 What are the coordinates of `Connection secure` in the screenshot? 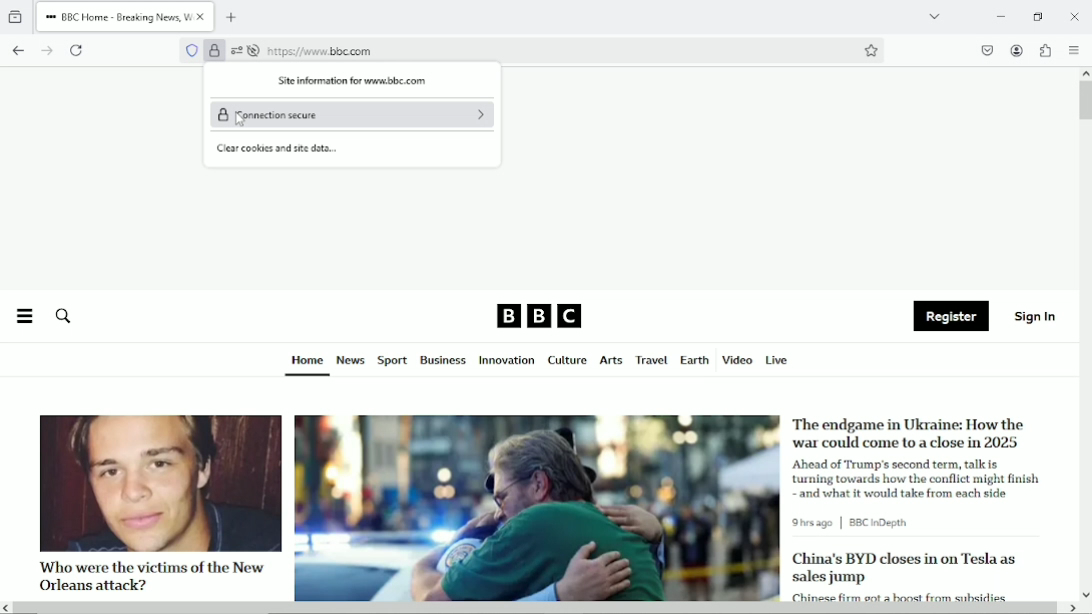 It's located at (354, 115).